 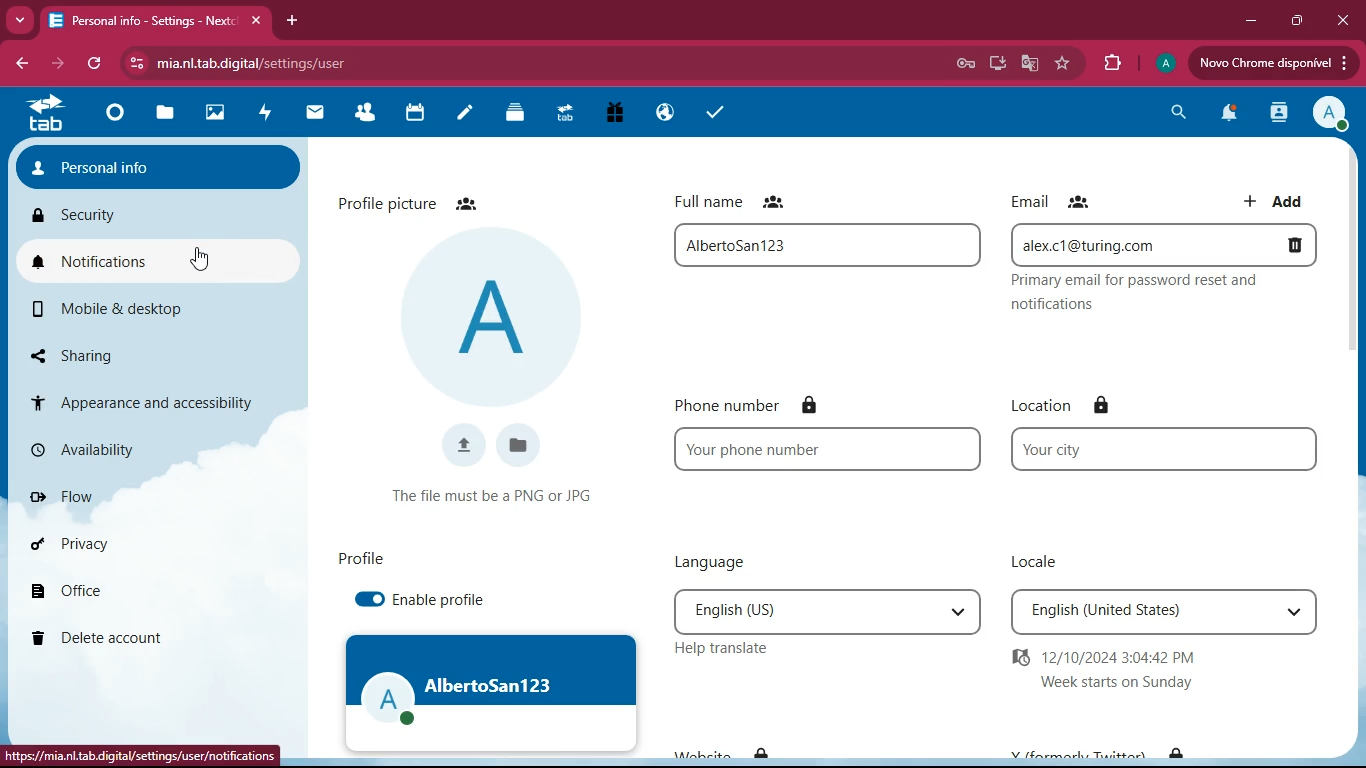 I want to click on activity, so click(x=1281, y=112).